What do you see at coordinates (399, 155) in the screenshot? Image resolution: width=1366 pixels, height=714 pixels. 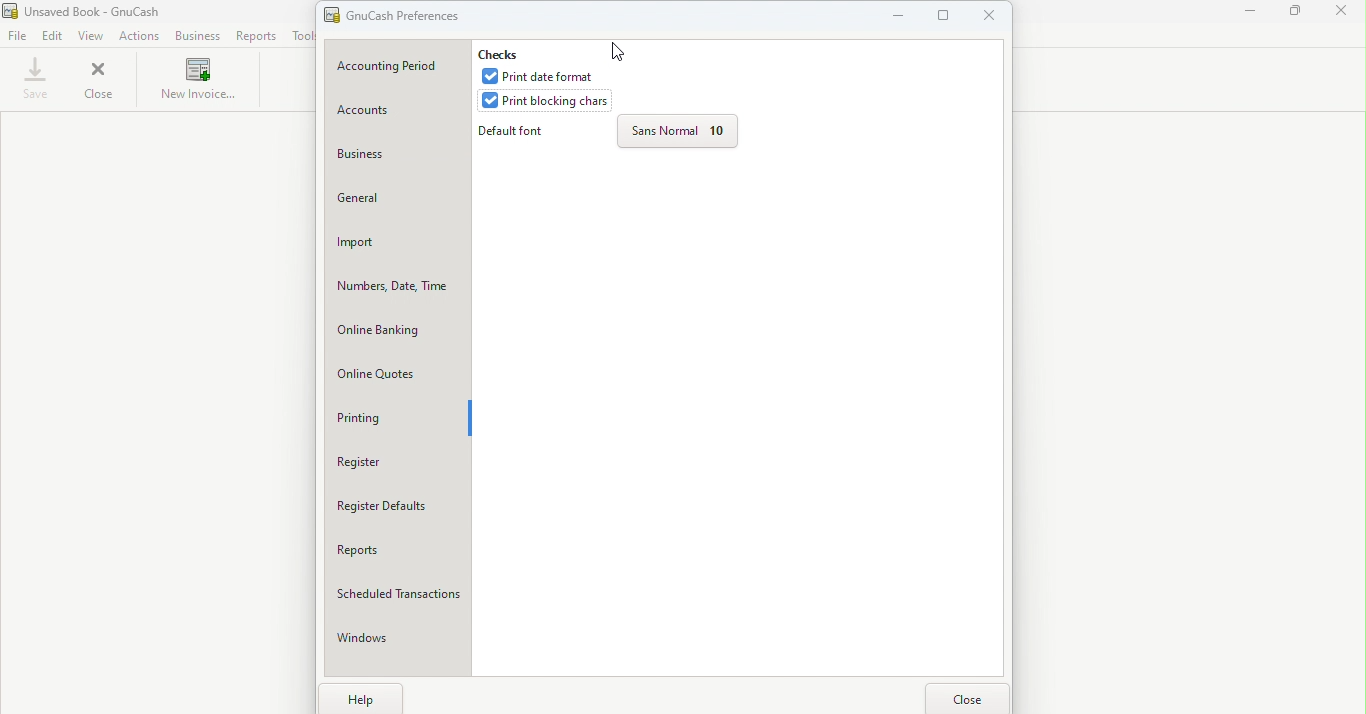 I see `Business` at bounding box center [399, 155].